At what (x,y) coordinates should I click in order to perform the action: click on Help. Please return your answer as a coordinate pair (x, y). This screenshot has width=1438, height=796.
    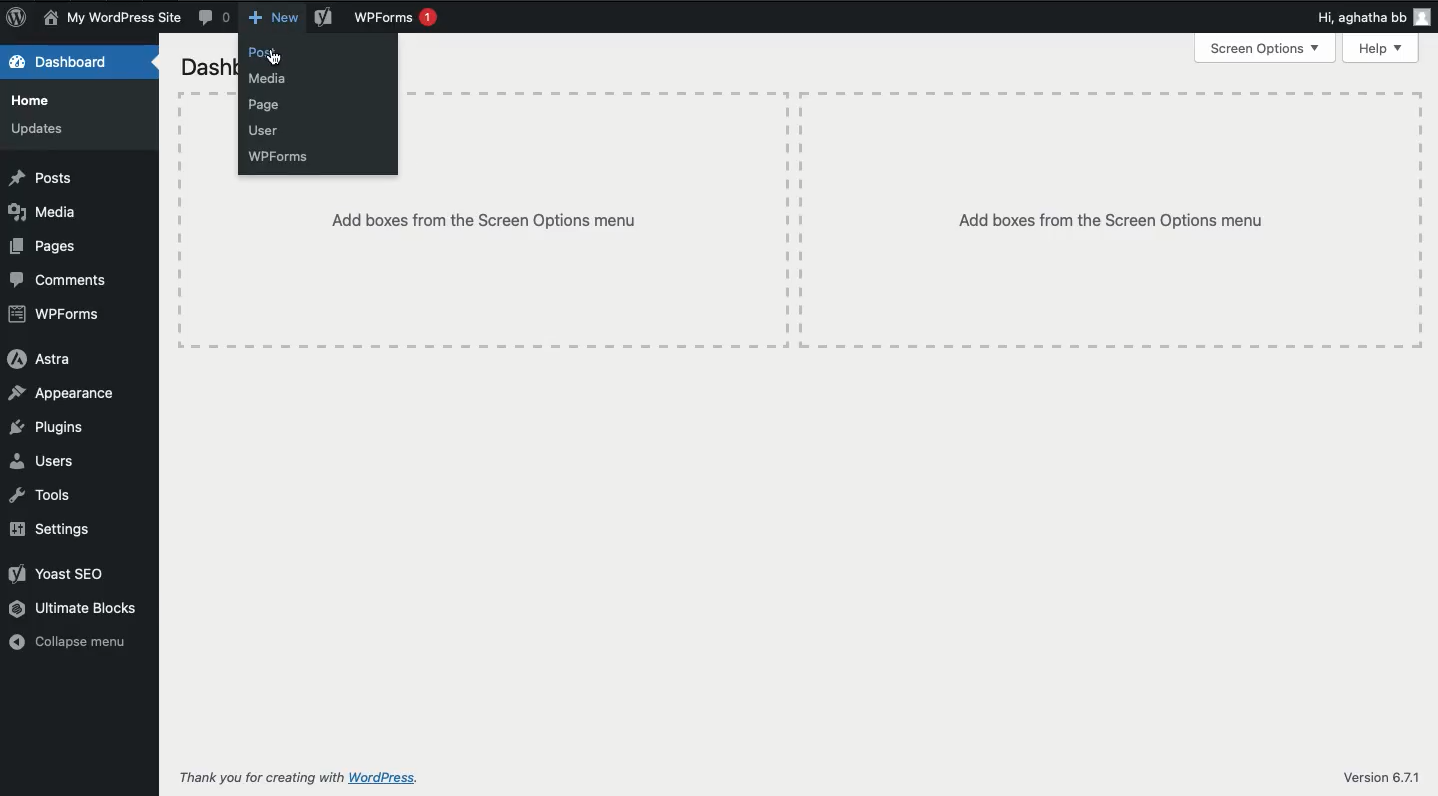
    Looking at the image, I should click on (1381, 49).